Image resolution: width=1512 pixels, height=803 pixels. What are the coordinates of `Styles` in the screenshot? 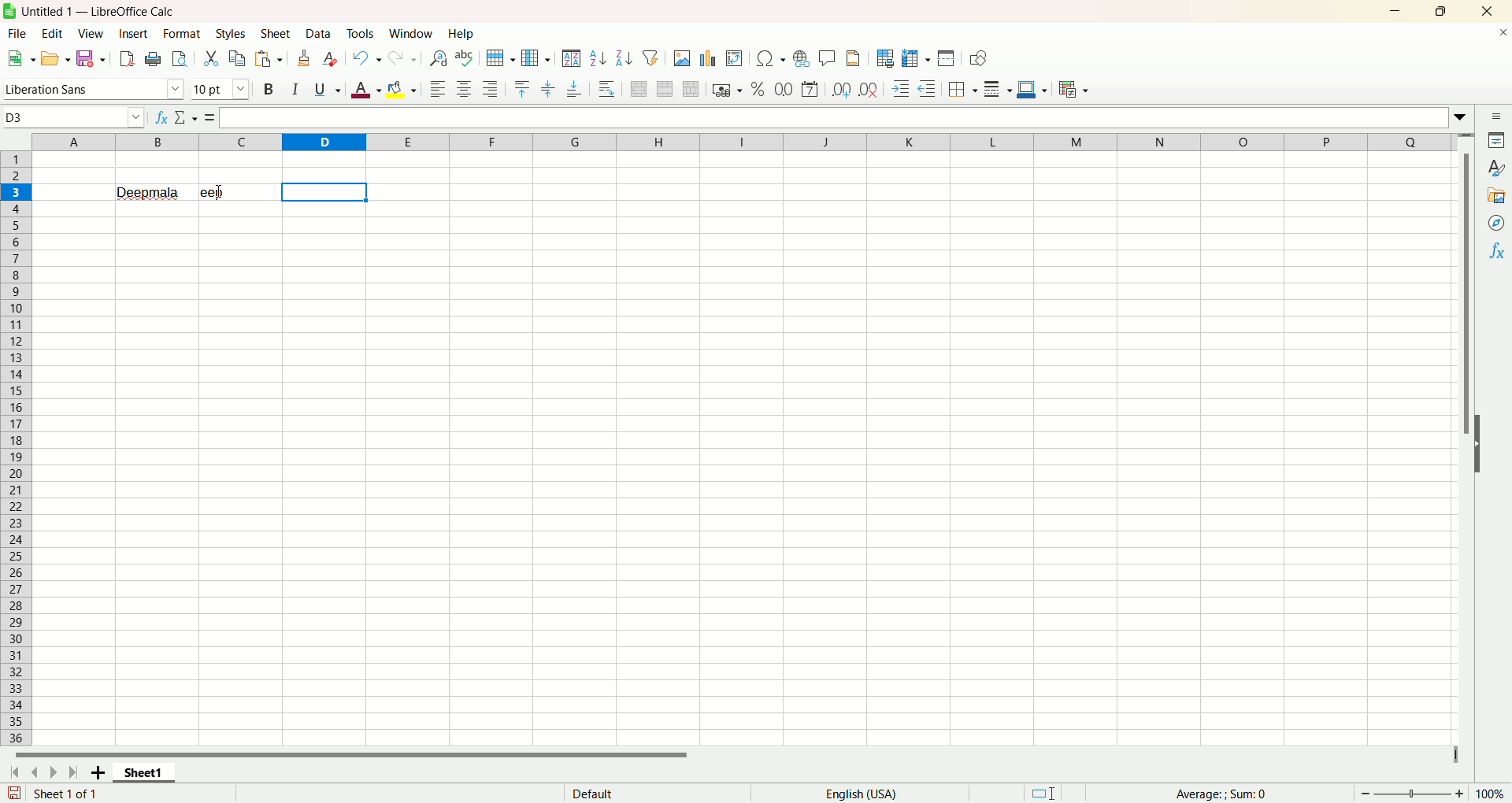 It's located at (1496, 169).